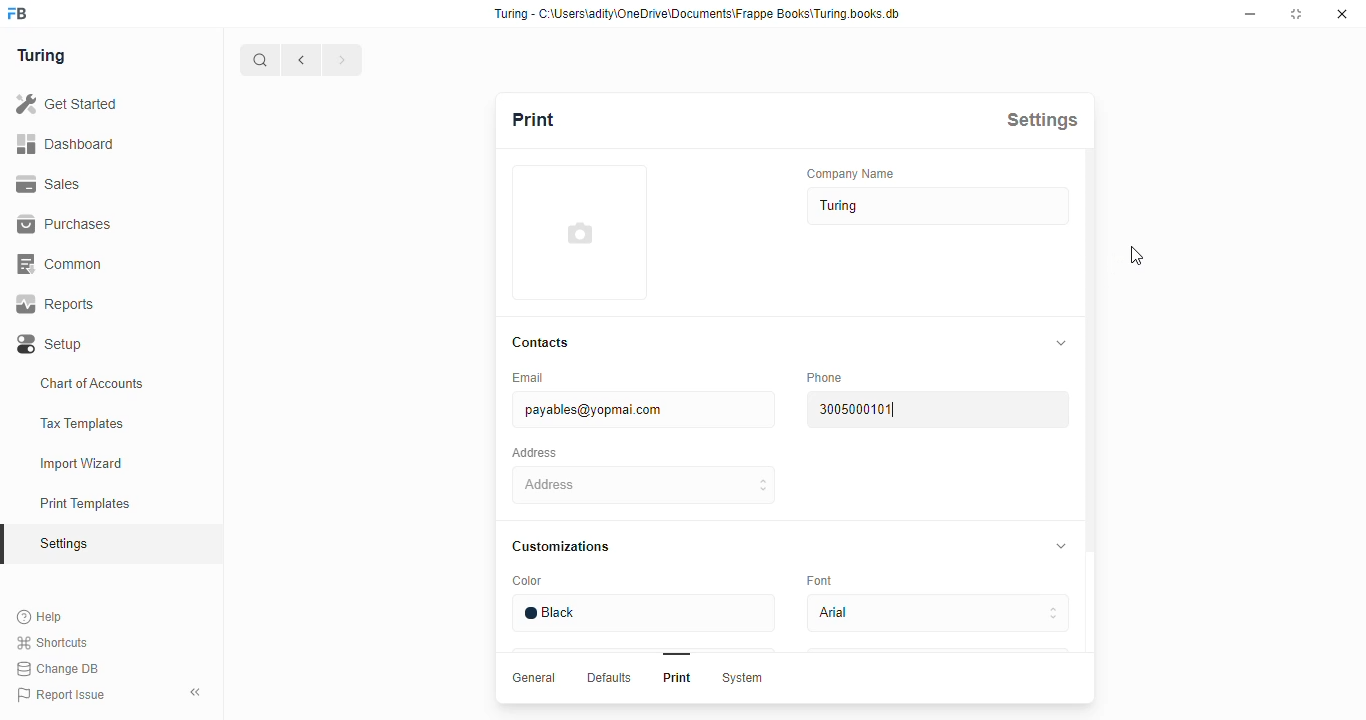 The image size is (1366, 720). What do you see at coordinates (104, 144) in the screenshot?
I see `Dashboard` at bounding box center [104, 144].